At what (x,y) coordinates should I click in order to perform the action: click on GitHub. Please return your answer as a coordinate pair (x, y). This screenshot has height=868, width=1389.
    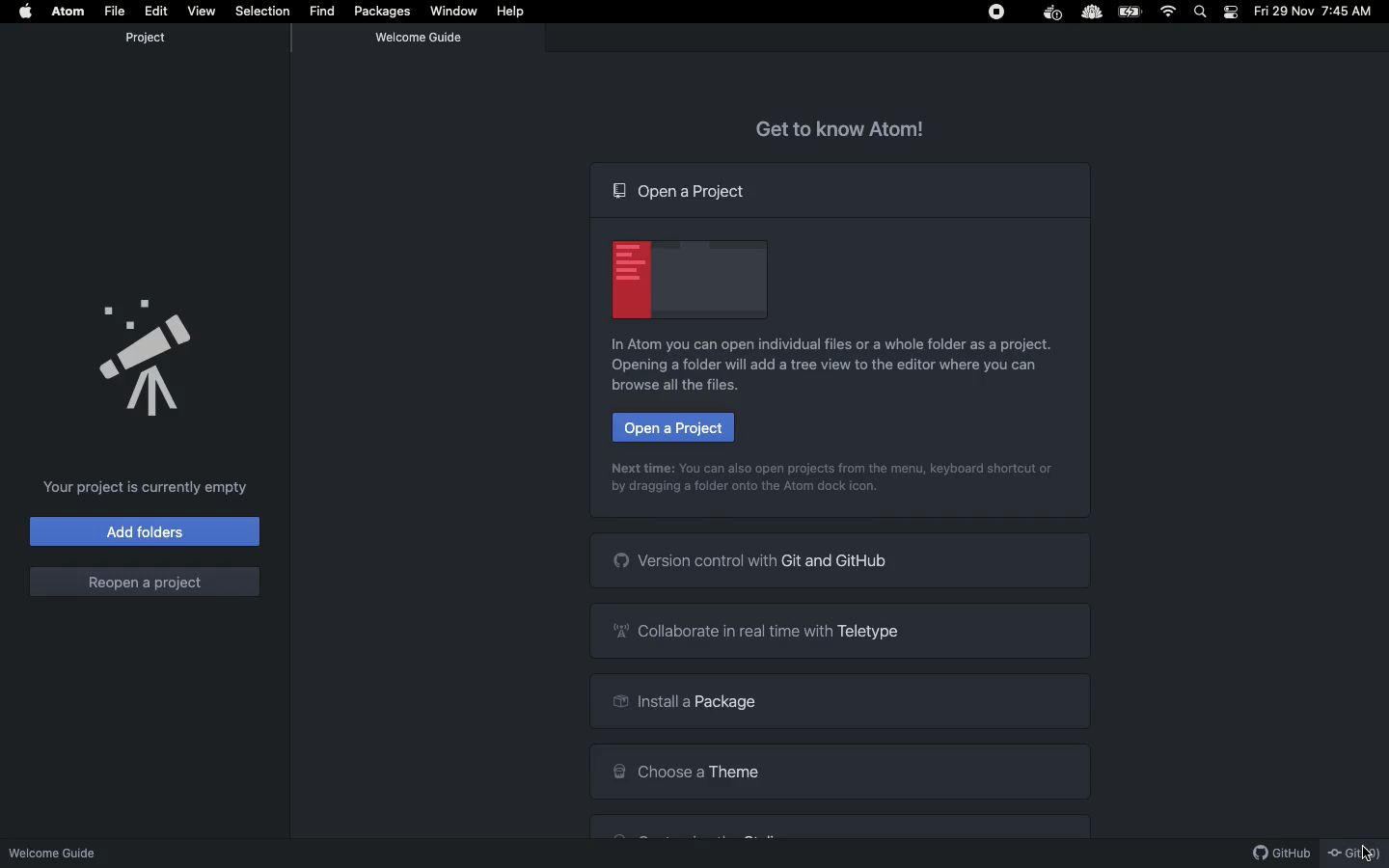
    Looking at the image, I should click on (1275, 852).